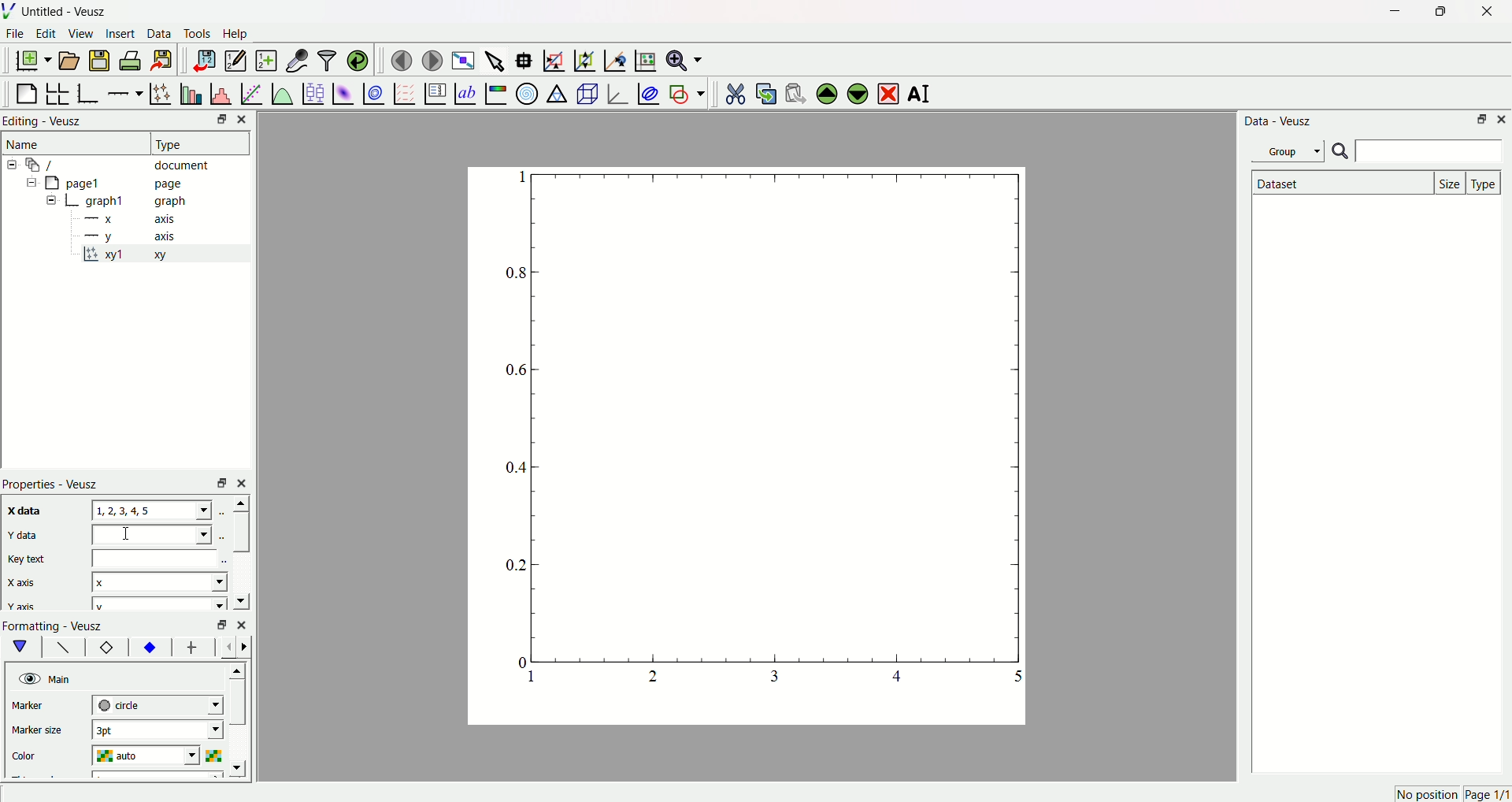  What do you see at coordinates (150, 534) in the screenshot?
I see `Y` at bounding box center [150, 534].